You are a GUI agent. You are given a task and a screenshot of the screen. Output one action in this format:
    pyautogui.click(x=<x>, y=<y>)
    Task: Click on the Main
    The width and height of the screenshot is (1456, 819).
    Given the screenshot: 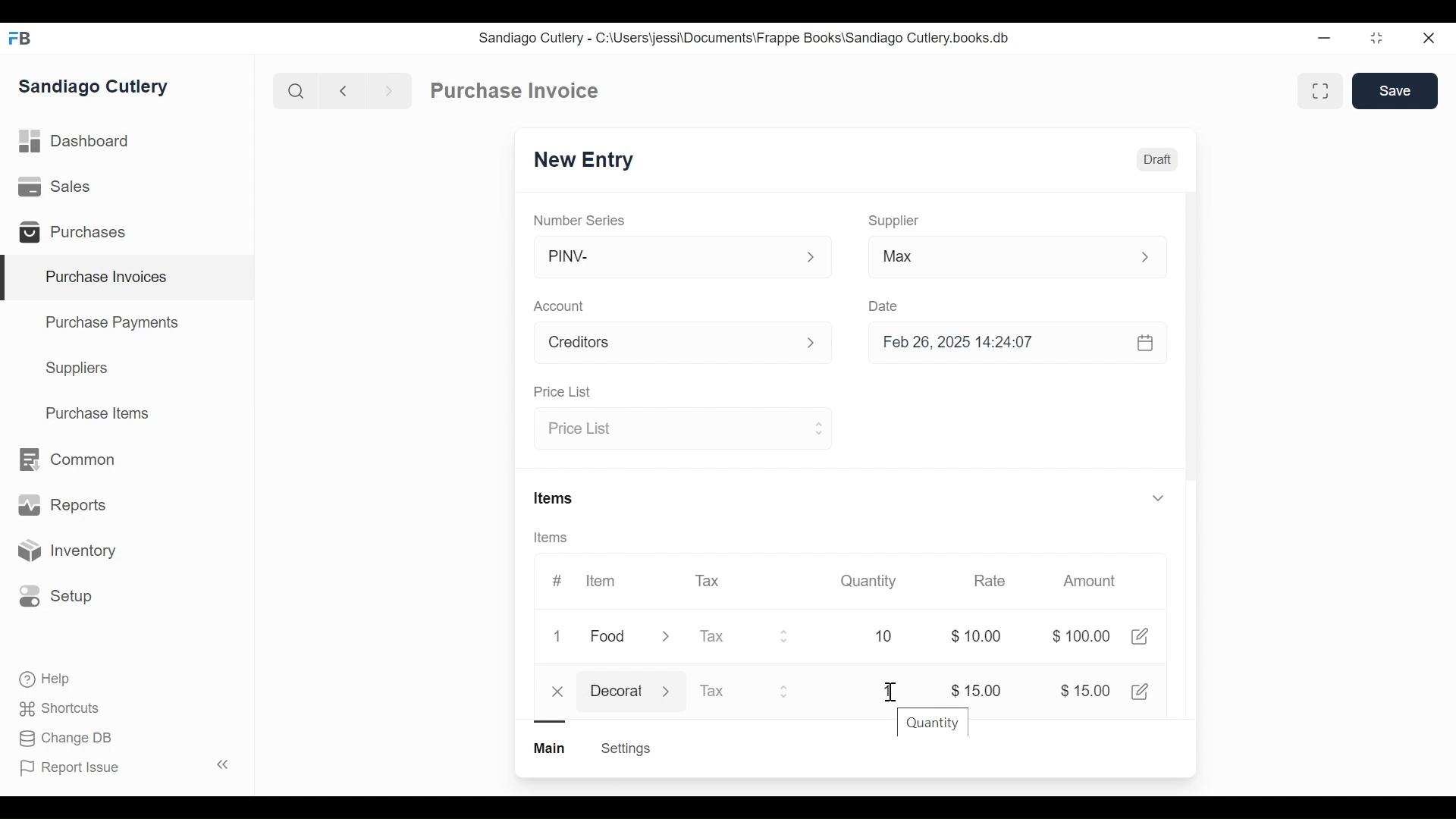 What is the action you would take?
    pyautogui.click(x=551, y=747)
    